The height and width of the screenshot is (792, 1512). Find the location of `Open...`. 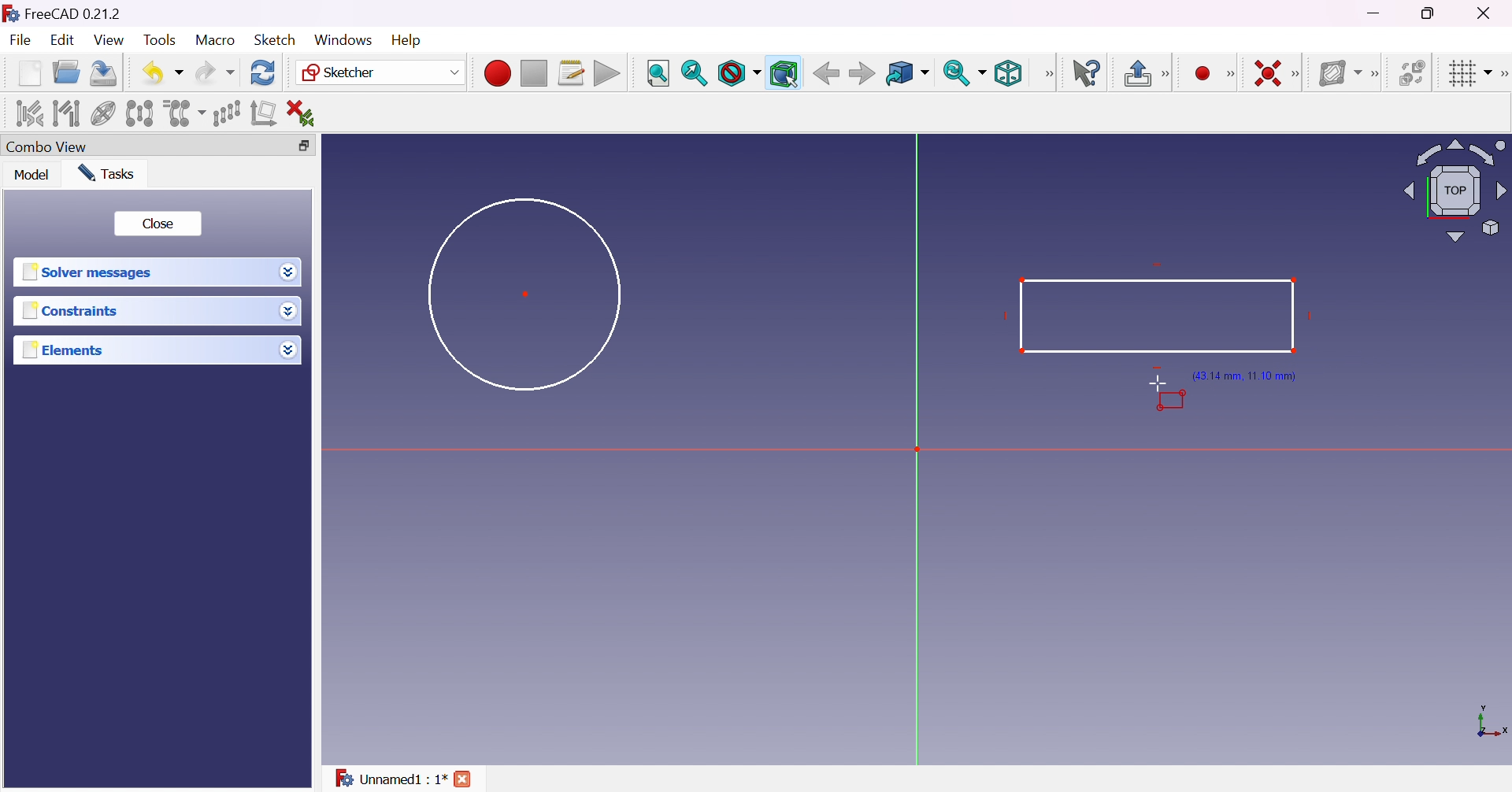

Open... is located at coordinates (65, 73).